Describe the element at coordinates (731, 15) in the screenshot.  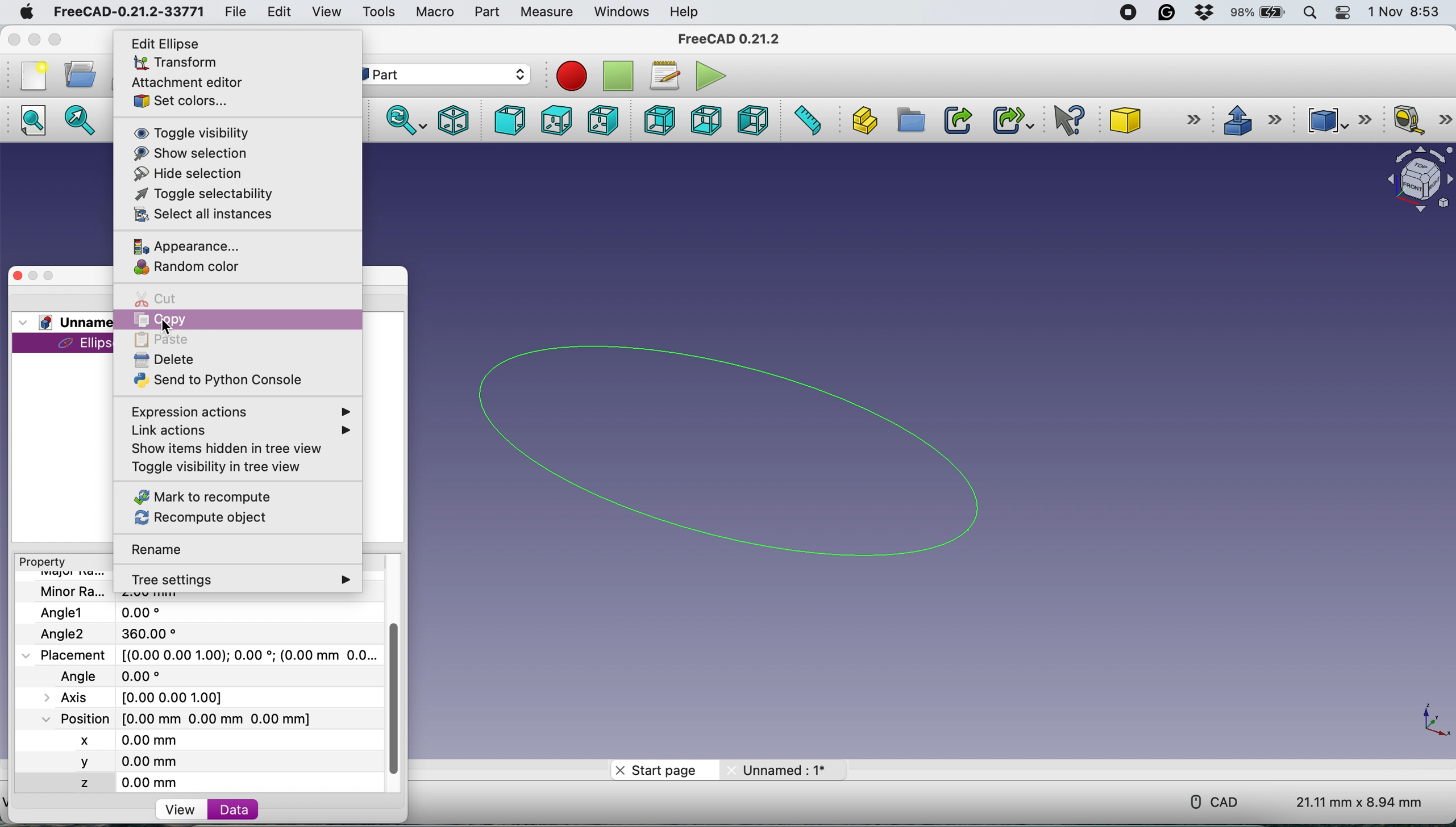
I see `` at that location.